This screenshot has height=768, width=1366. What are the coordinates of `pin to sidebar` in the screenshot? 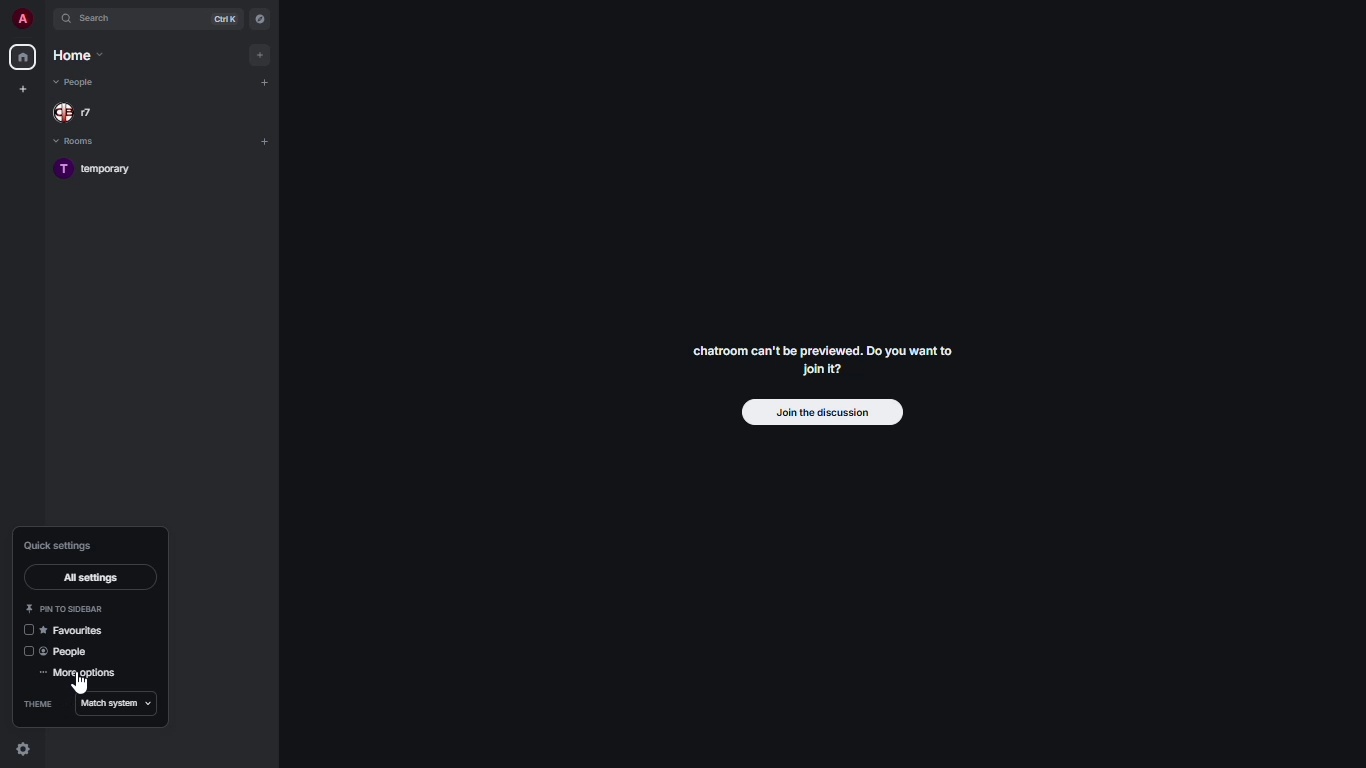 It's located at (65, 608).